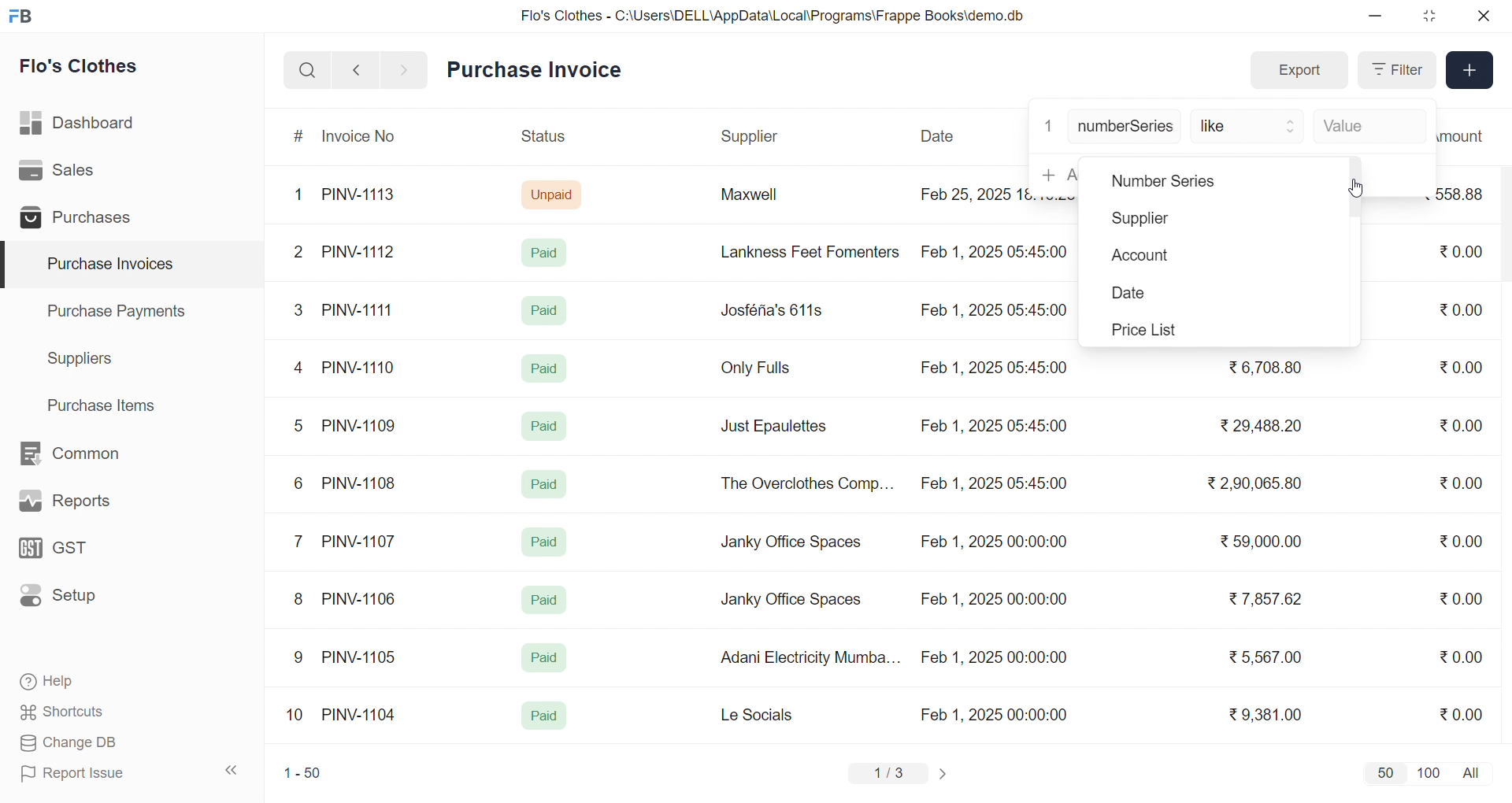 This screenshot has height=803, width=1512. What do you see at coordinates (1168, 330) in the screenshot?
I see `Price list` at bounding box center [1168, 330].